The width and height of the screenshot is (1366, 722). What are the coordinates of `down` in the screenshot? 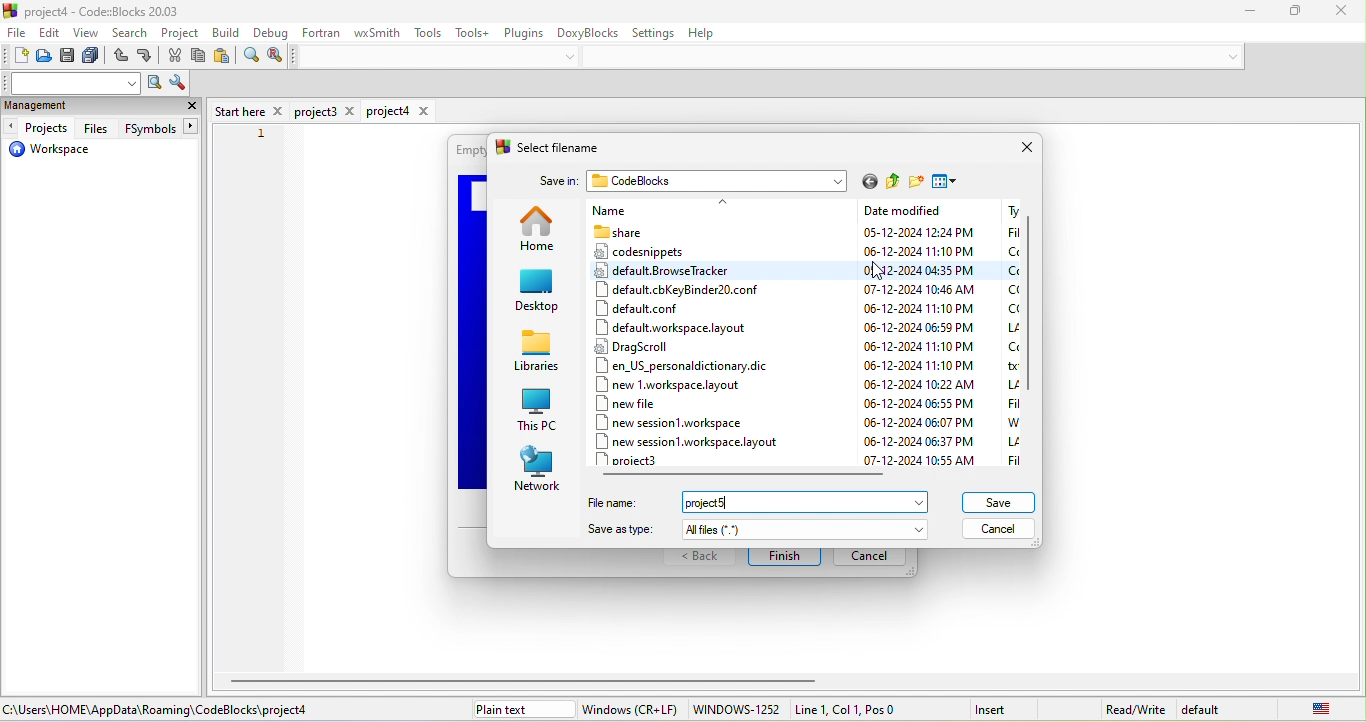 It's located at (574, 56).